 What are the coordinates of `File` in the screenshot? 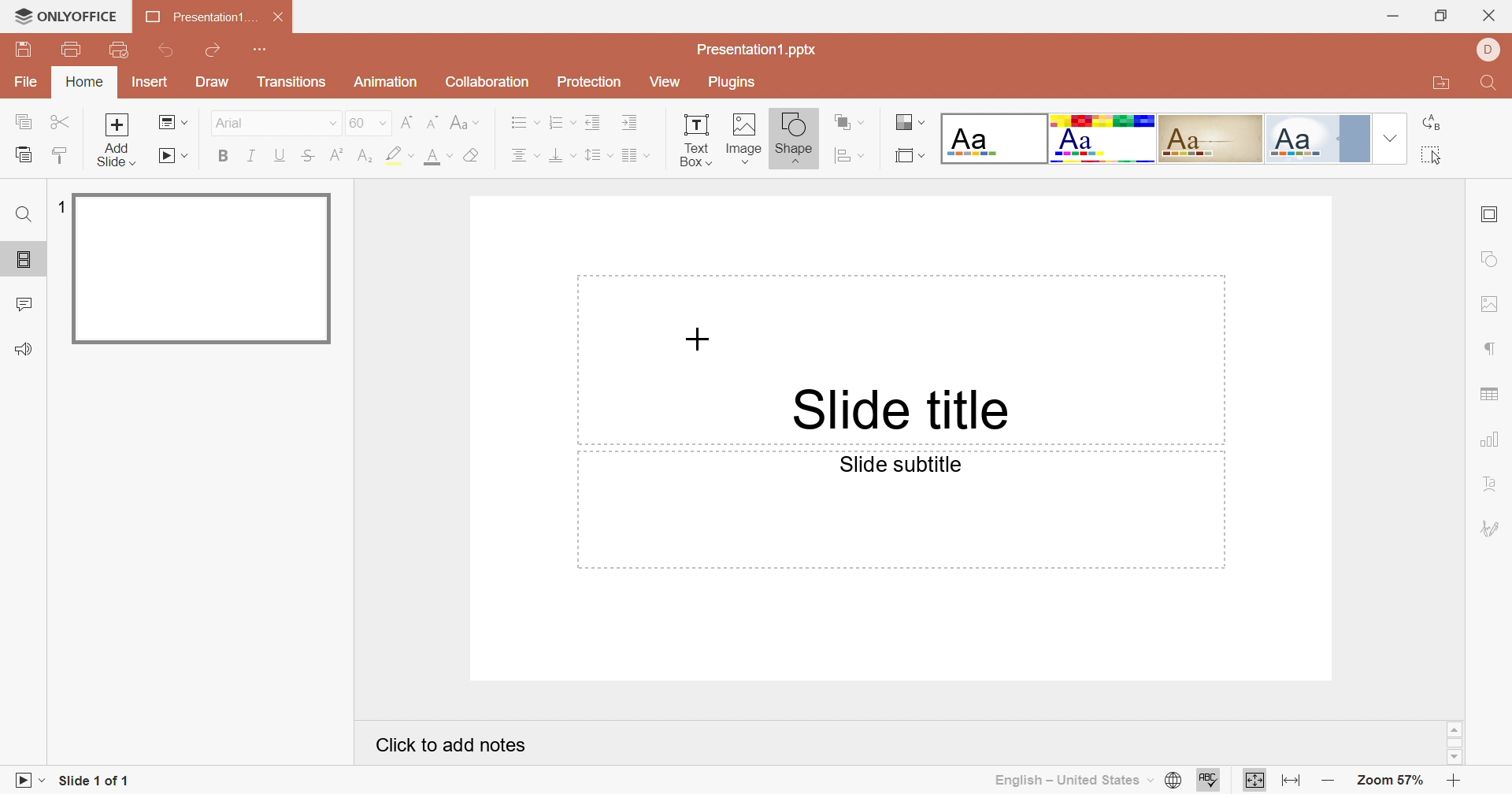 It's located at (26, 83).